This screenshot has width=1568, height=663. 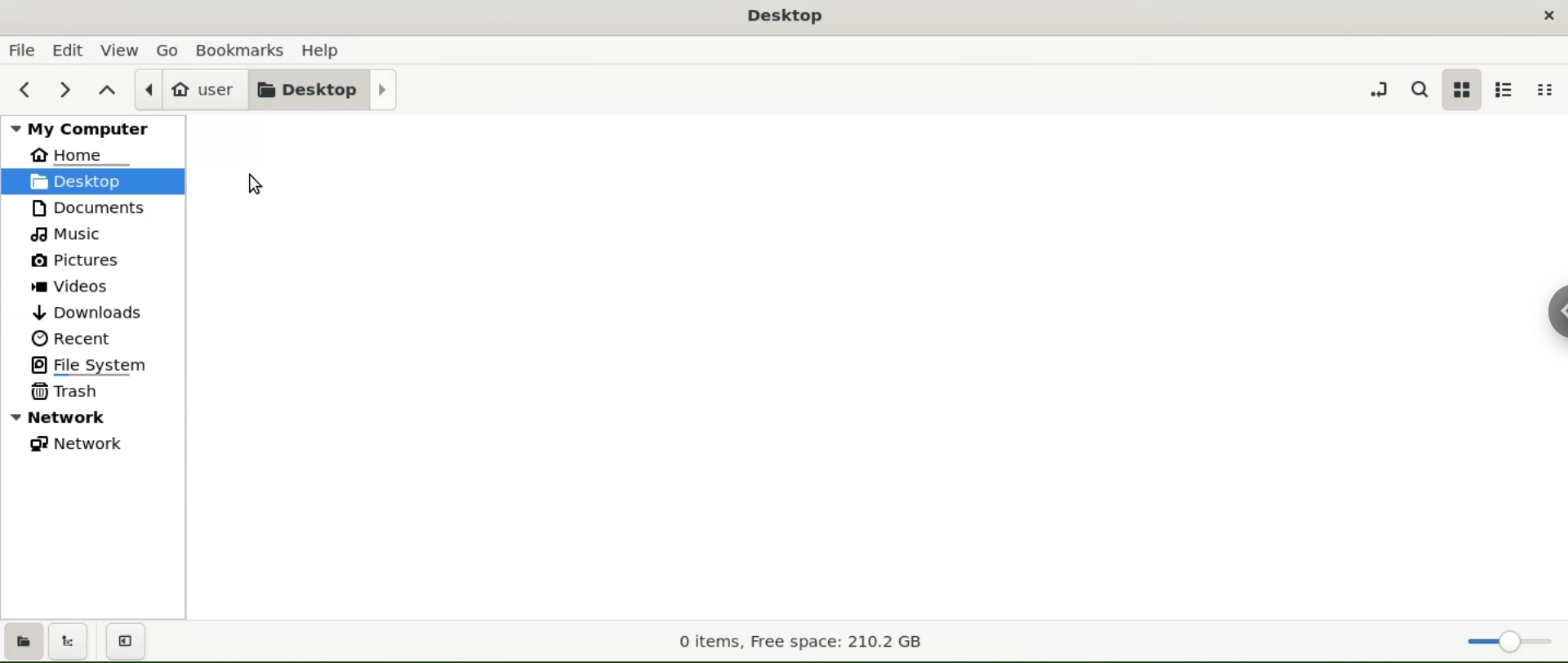 I want to click on file system, so click(x=94, y=366).